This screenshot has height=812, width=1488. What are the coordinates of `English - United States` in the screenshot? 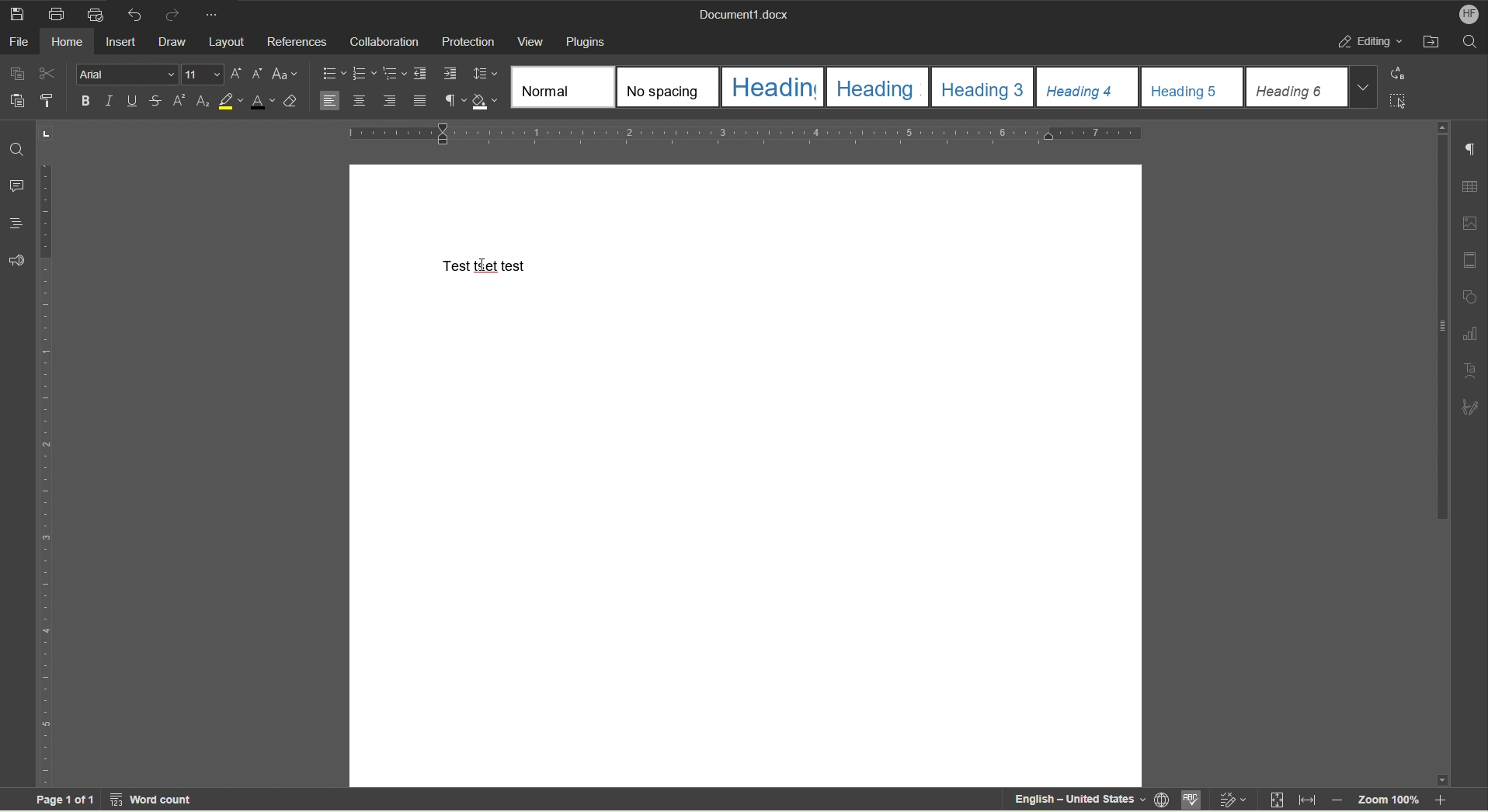 It's located at (1076, 800).